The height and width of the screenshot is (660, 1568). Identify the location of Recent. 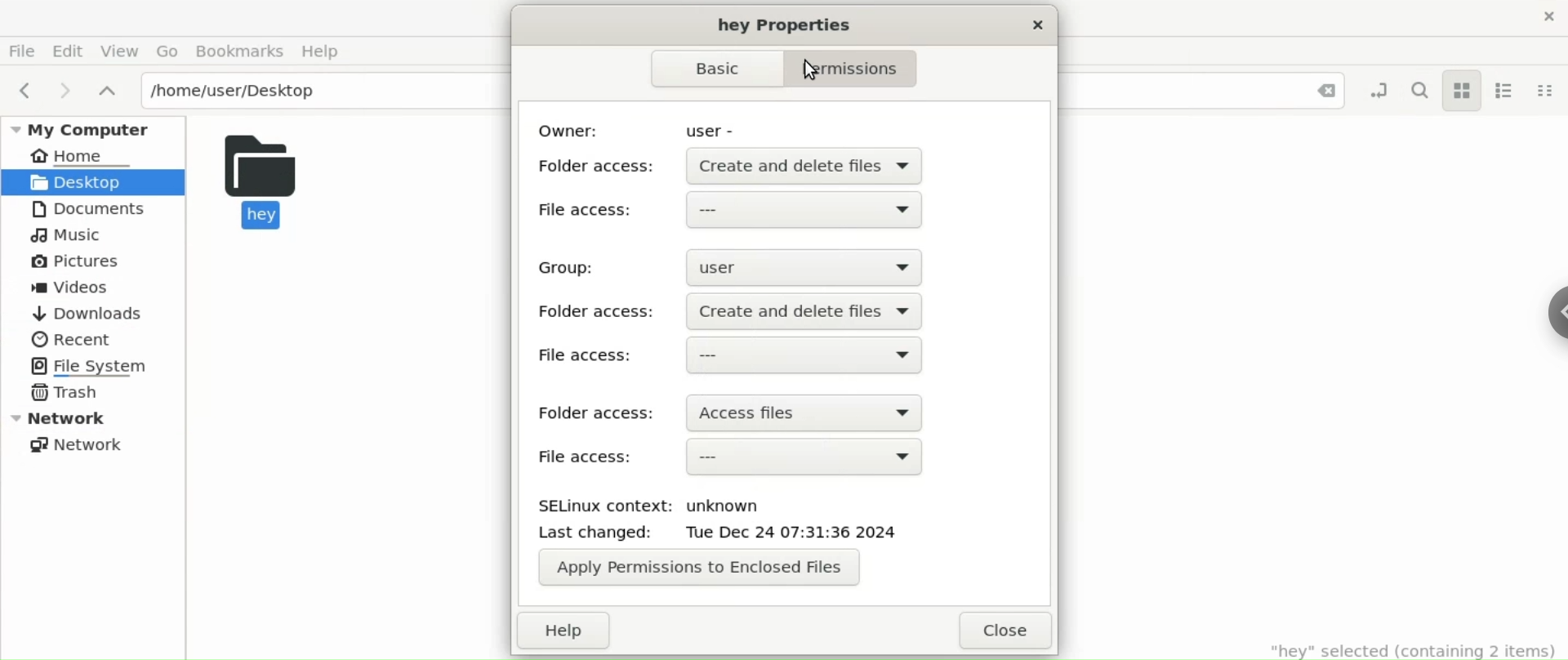
(71, 341).